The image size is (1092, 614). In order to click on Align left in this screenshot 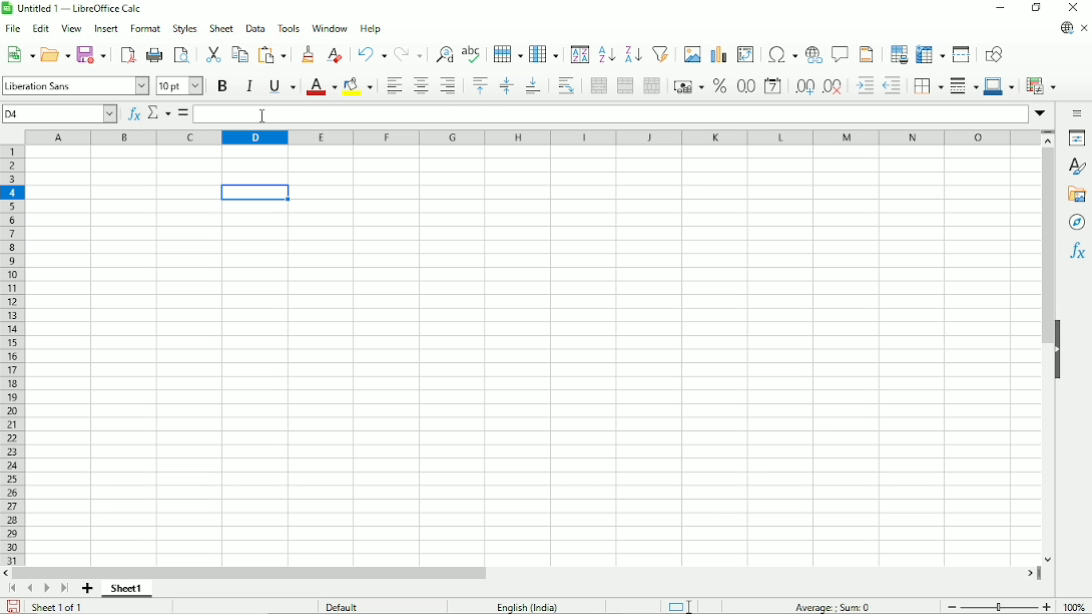, I will do `click(393, 86)`.